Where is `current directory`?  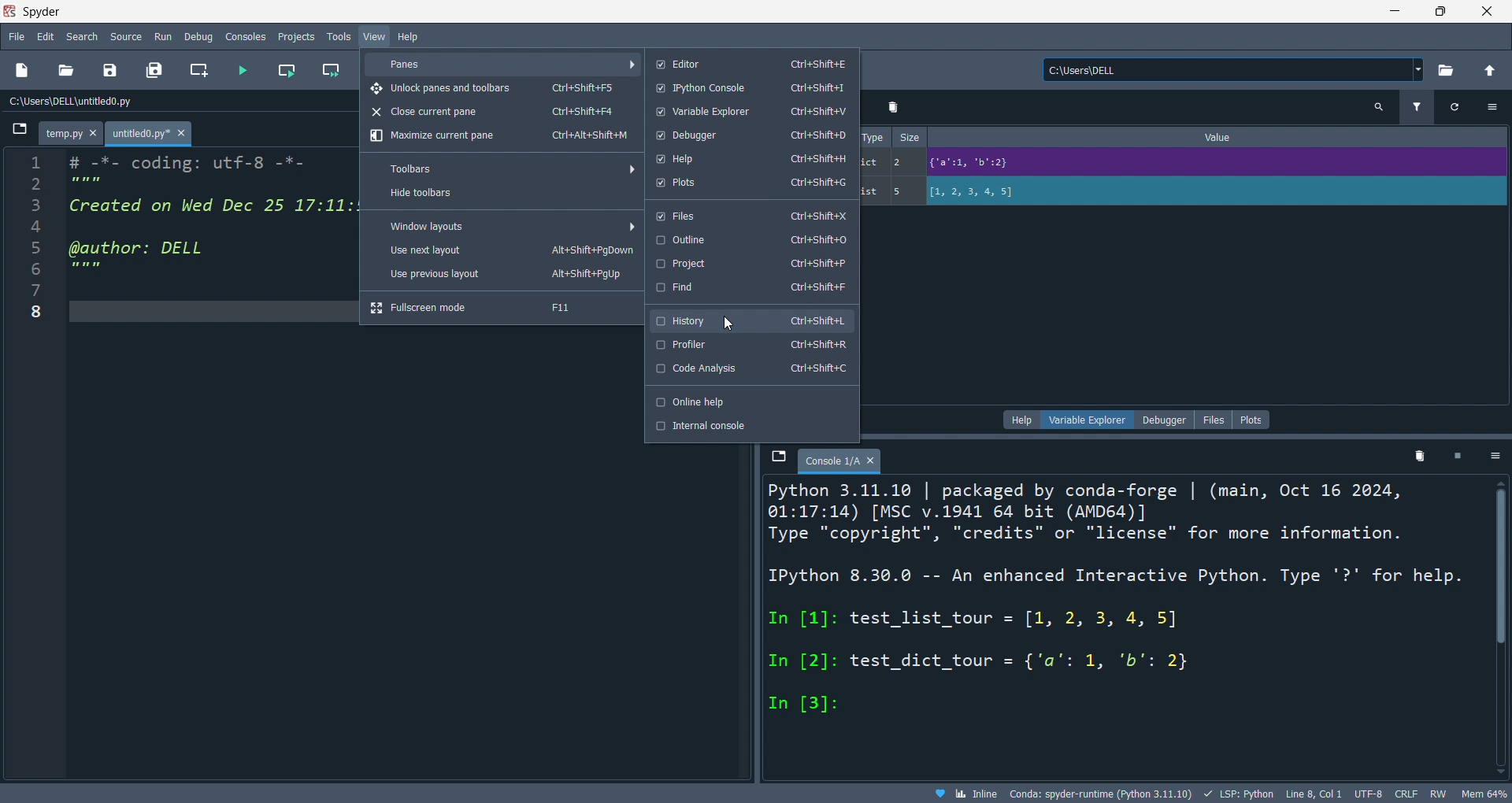
current directory is located at coordinates (1233, 71).